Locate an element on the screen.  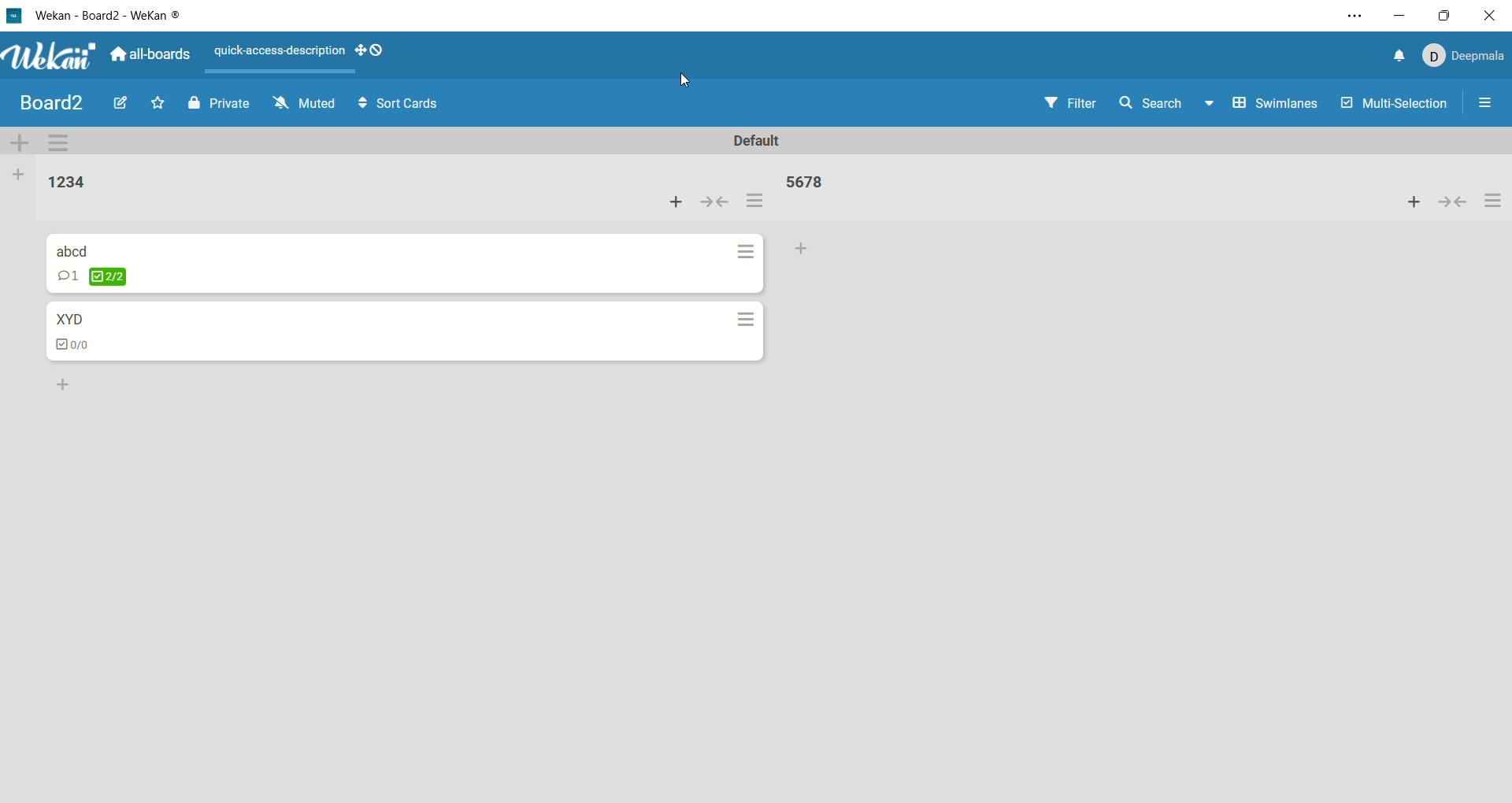
swimlanes is located at coordinates (1274, 105).